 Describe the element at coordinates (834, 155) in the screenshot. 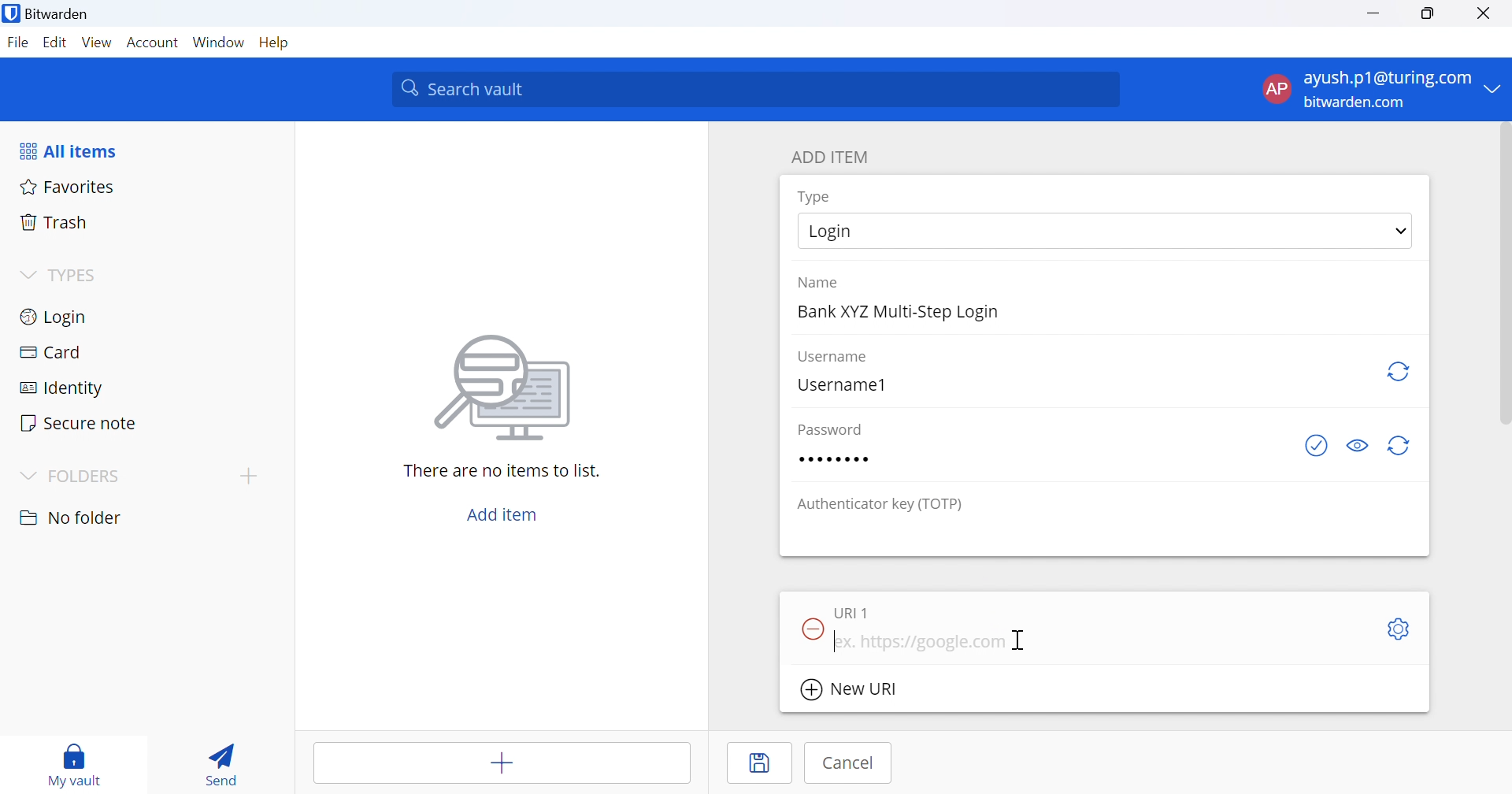

I see `ADD ITEM` at that location.